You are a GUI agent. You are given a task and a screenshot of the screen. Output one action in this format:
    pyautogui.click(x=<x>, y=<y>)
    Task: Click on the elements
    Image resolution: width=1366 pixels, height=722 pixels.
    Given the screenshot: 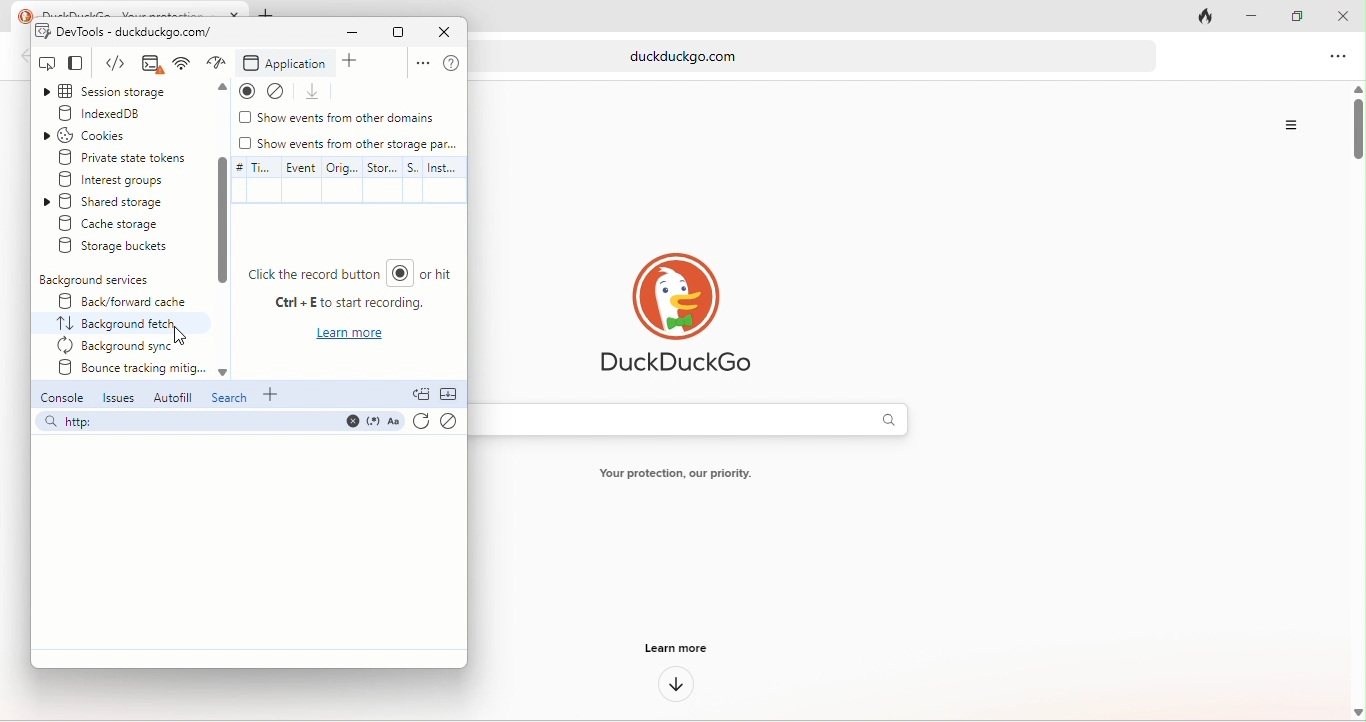 What is the action you would take?
    pyautogui.click(x=148, y=65)
    